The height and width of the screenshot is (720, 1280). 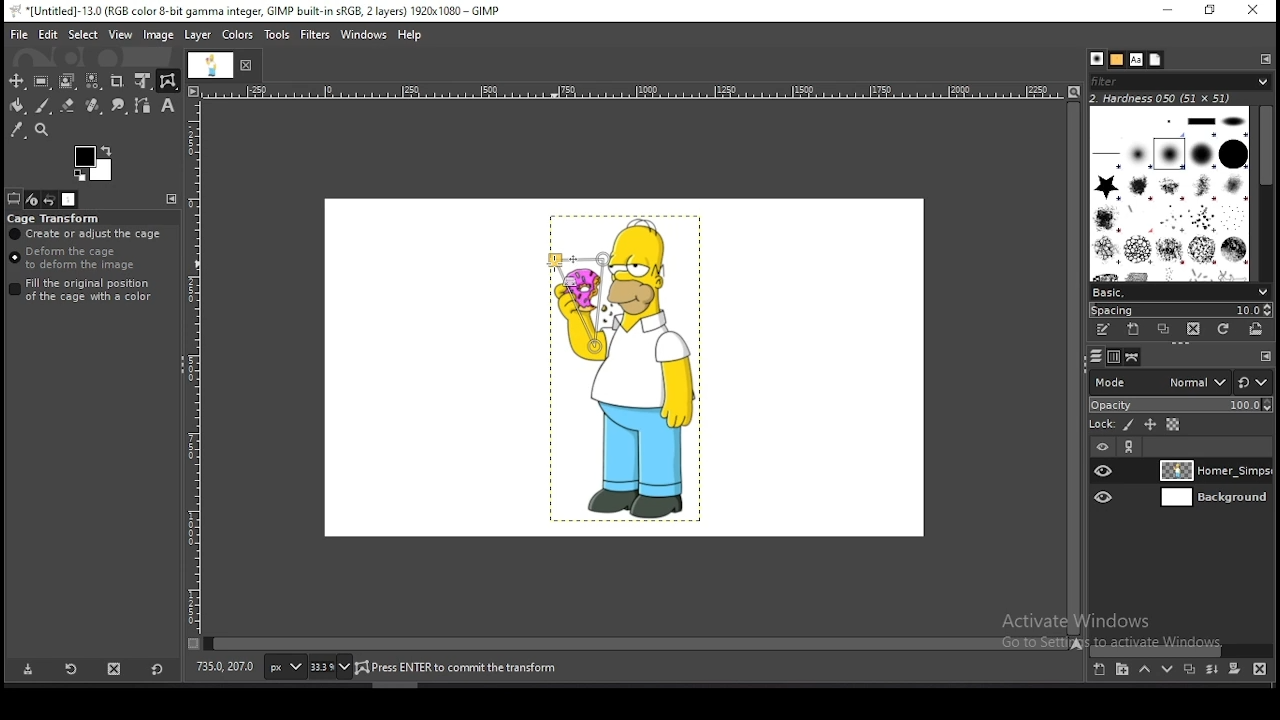 What do you see at coordinates (1263, 355) in the screenshot?
I see `configure this tab` at bounding box center [1263, 355].